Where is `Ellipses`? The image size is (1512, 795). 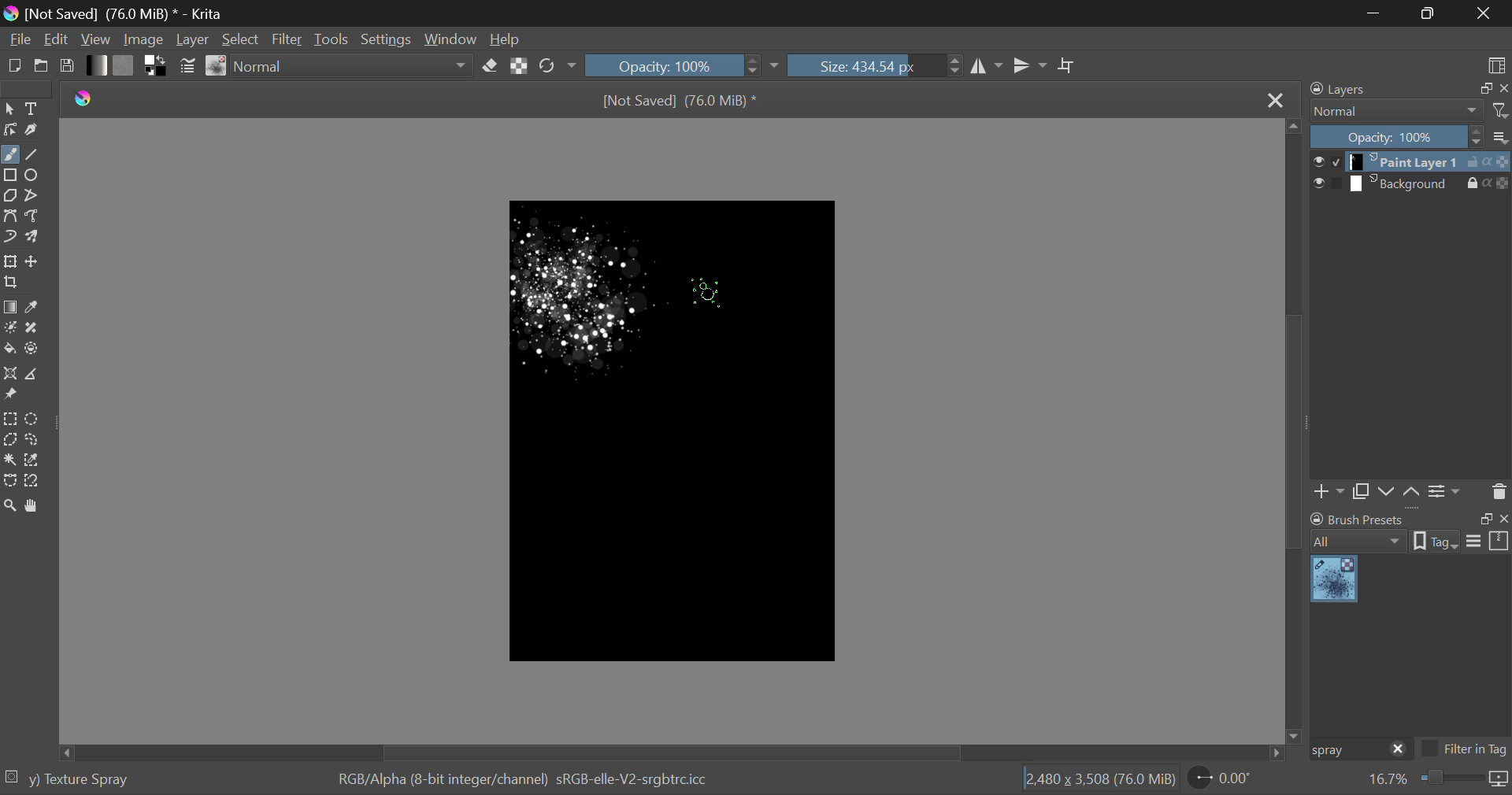
Ellipses is located at coordinates (34, 176).